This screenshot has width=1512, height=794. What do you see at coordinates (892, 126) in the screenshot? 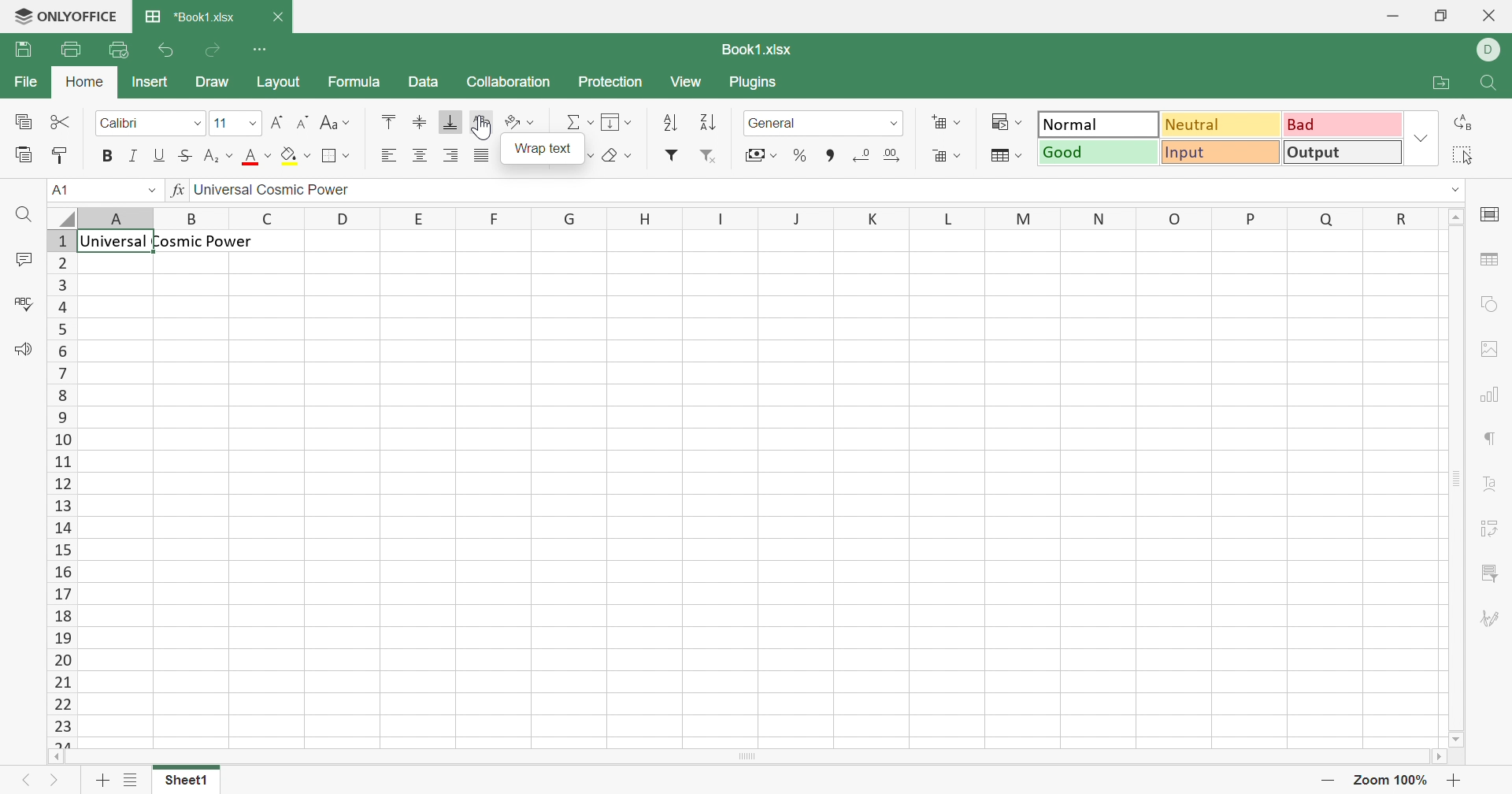
I see `Drop Down` at bounding box center [892, 126].